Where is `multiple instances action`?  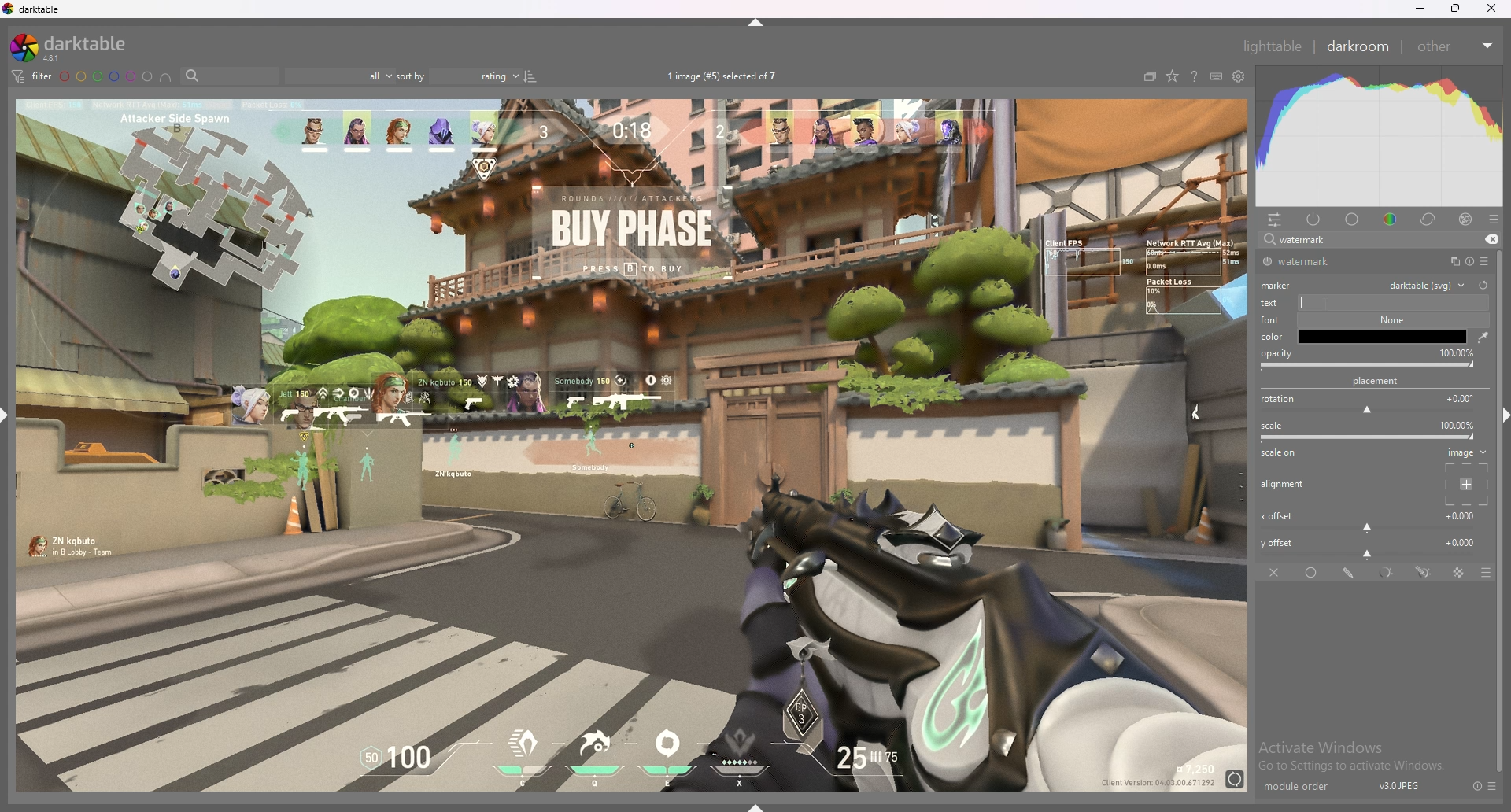 multiple instances action is located at coordinates (1450, 262).